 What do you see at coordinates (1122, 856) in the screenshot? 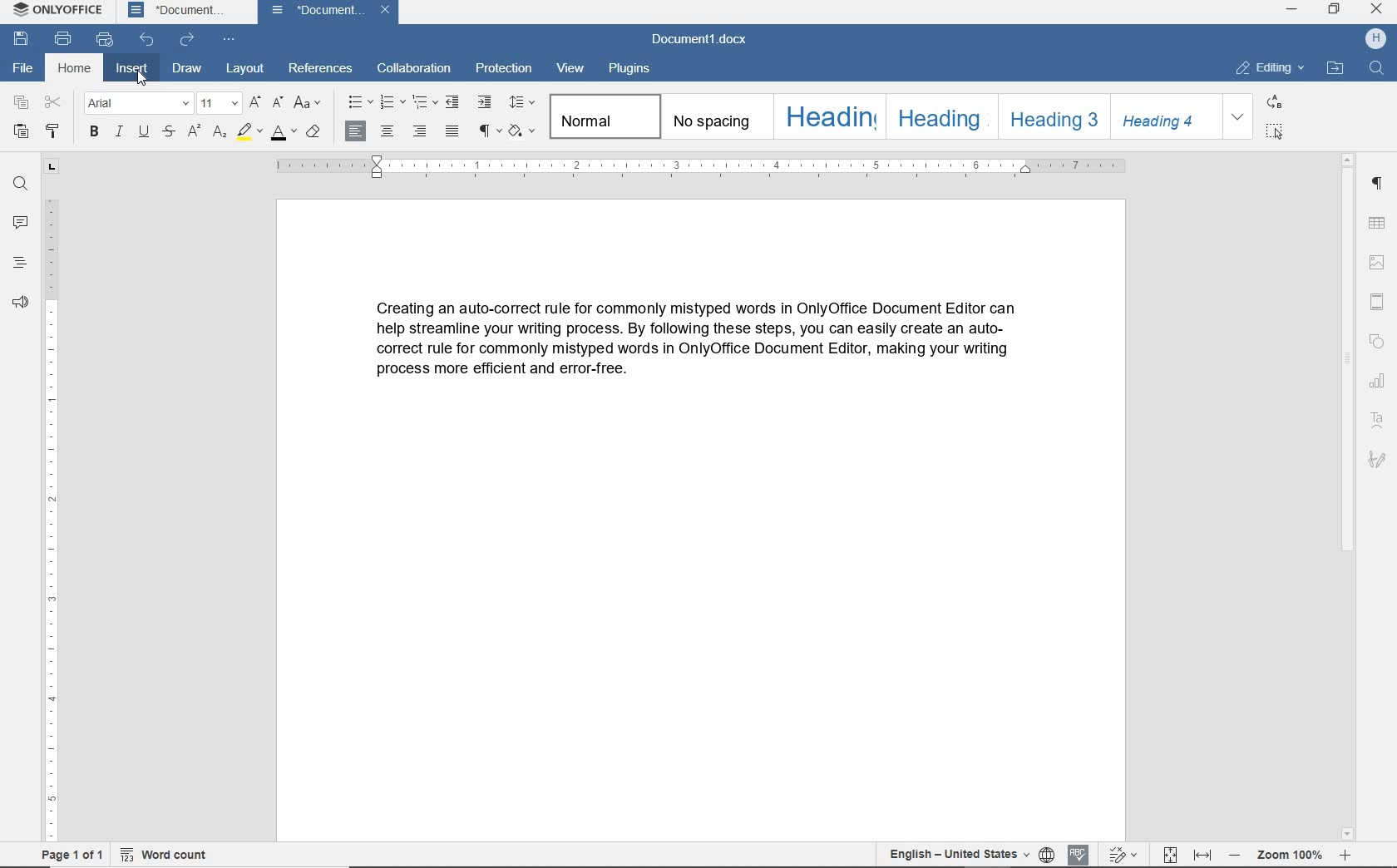
I see `track changes` at bounding box center [1122, 856].